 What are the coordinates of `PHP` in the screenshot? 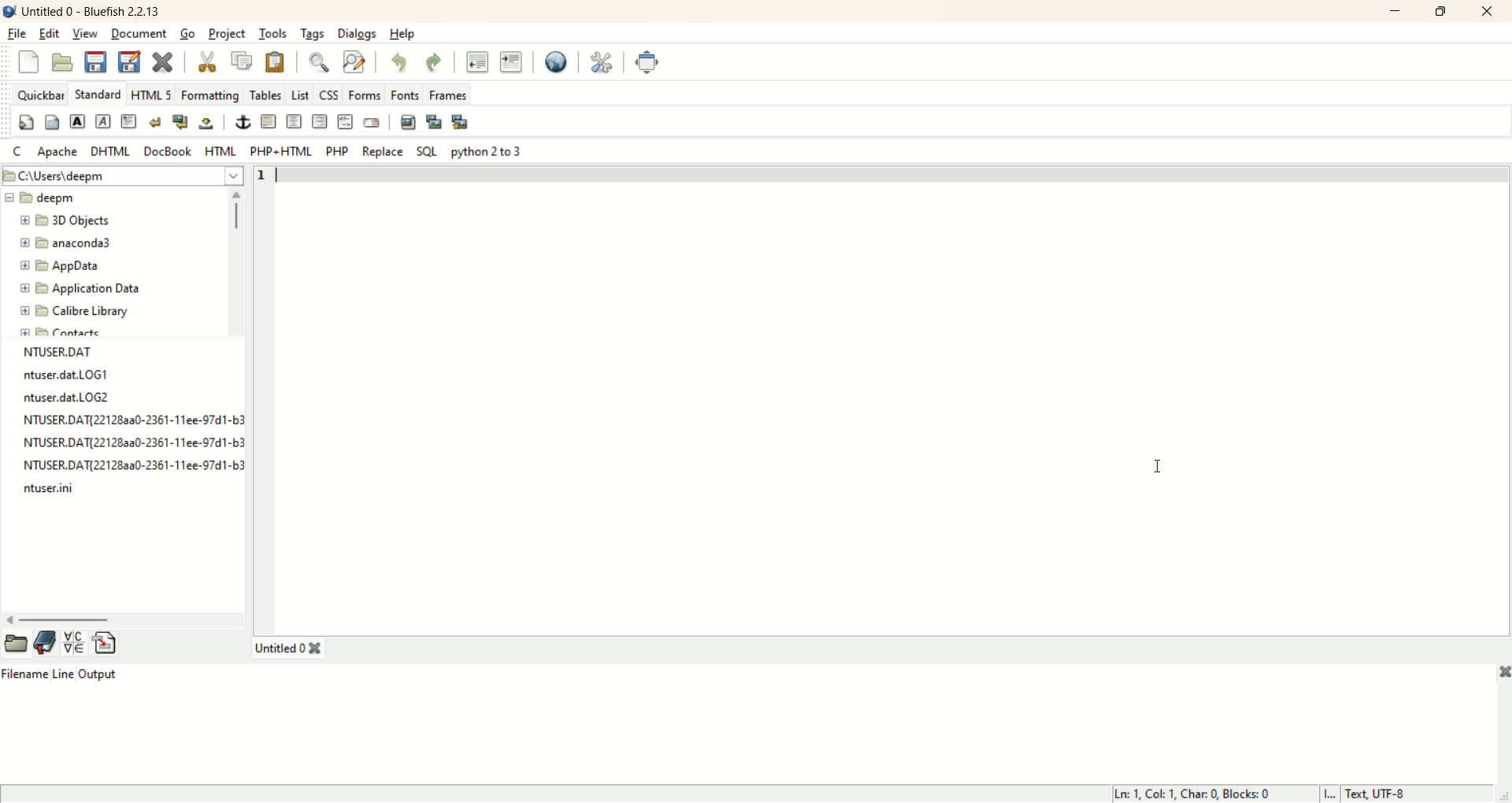 It's located at (337, 151).